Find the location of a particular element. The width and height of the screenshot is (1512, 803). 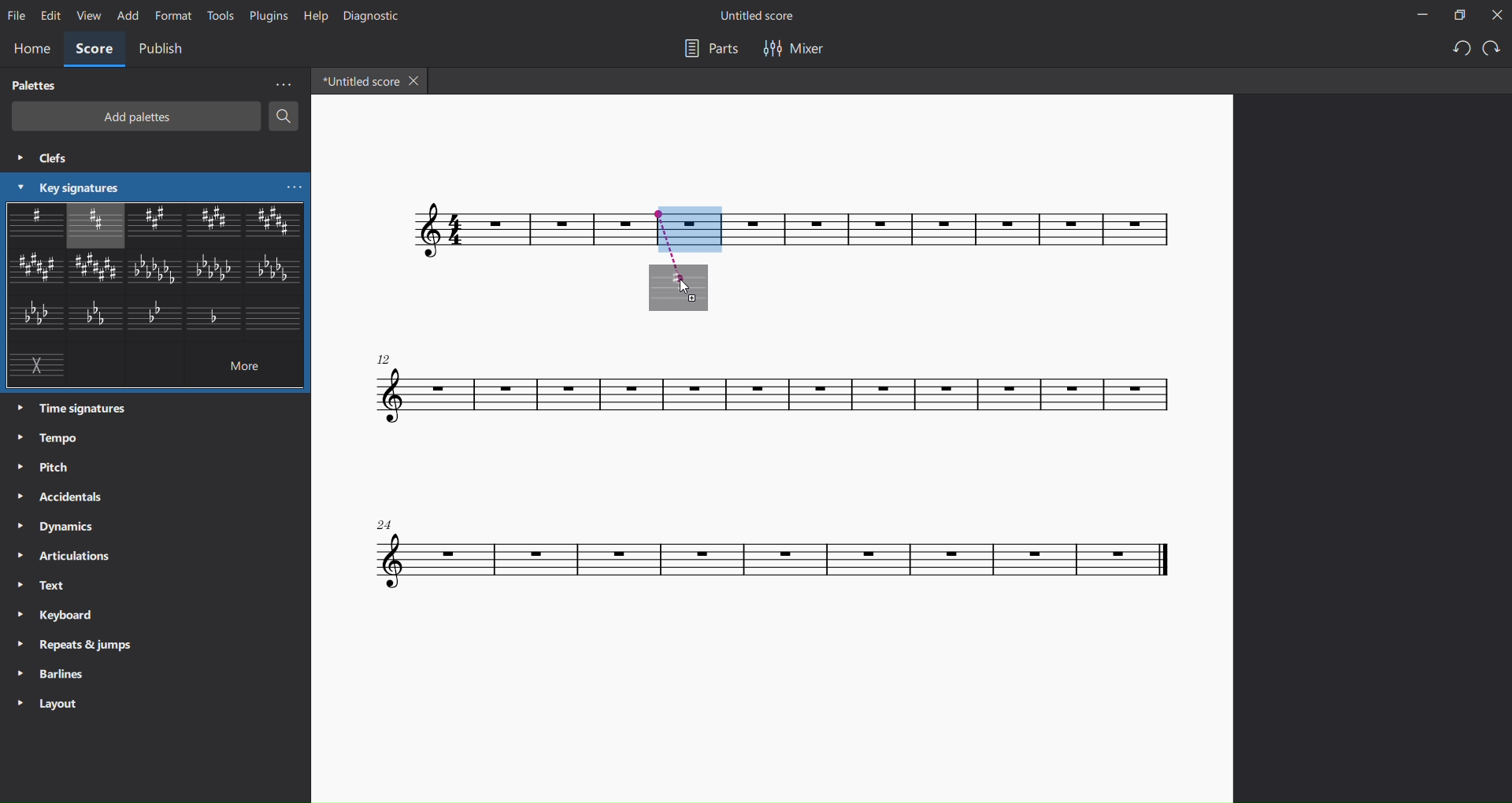

diagnostic is located at coordinates (374, 17).